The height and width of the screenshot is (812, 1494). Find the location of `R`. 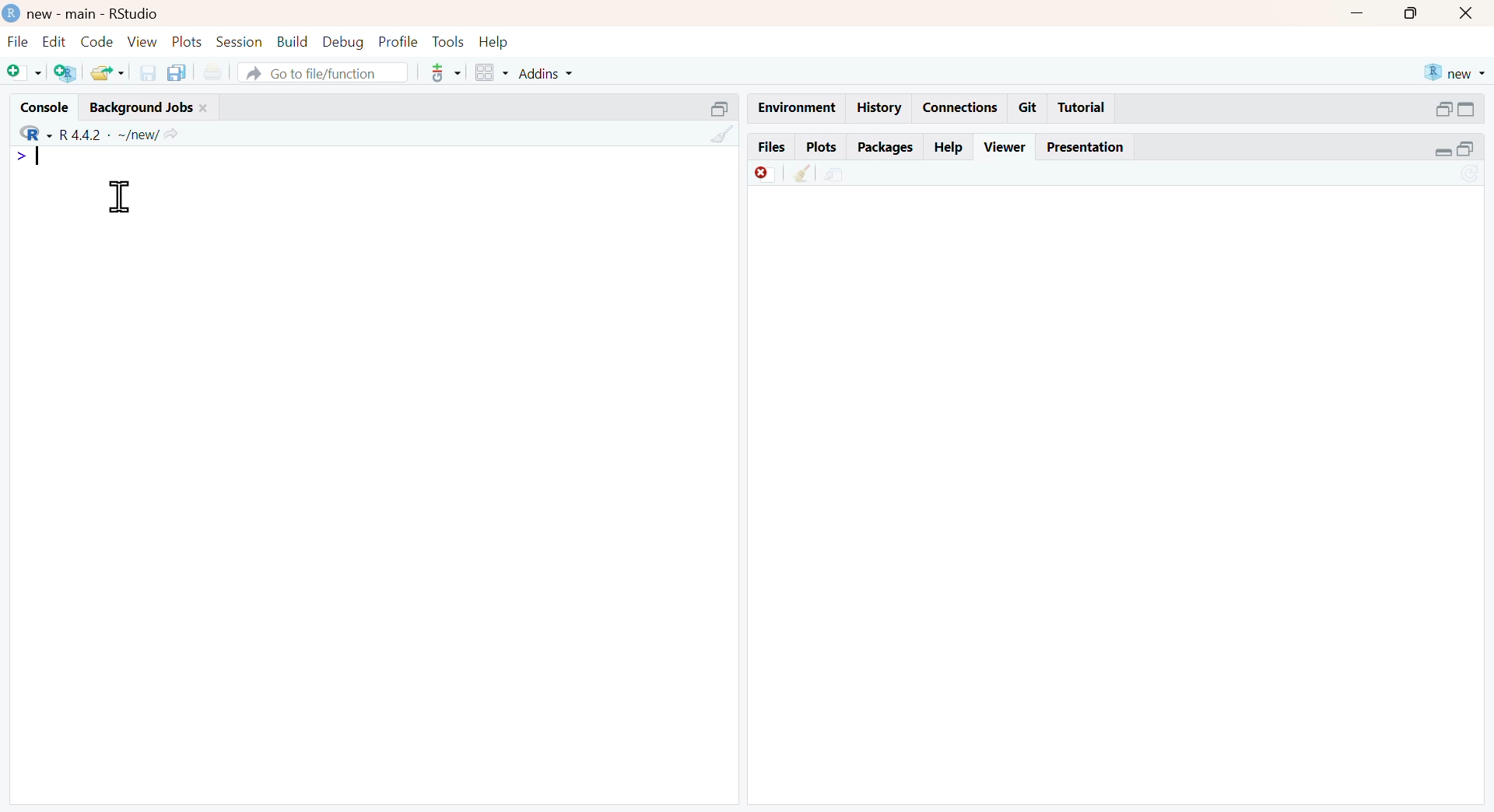

R is located at coordinates (37, 132).